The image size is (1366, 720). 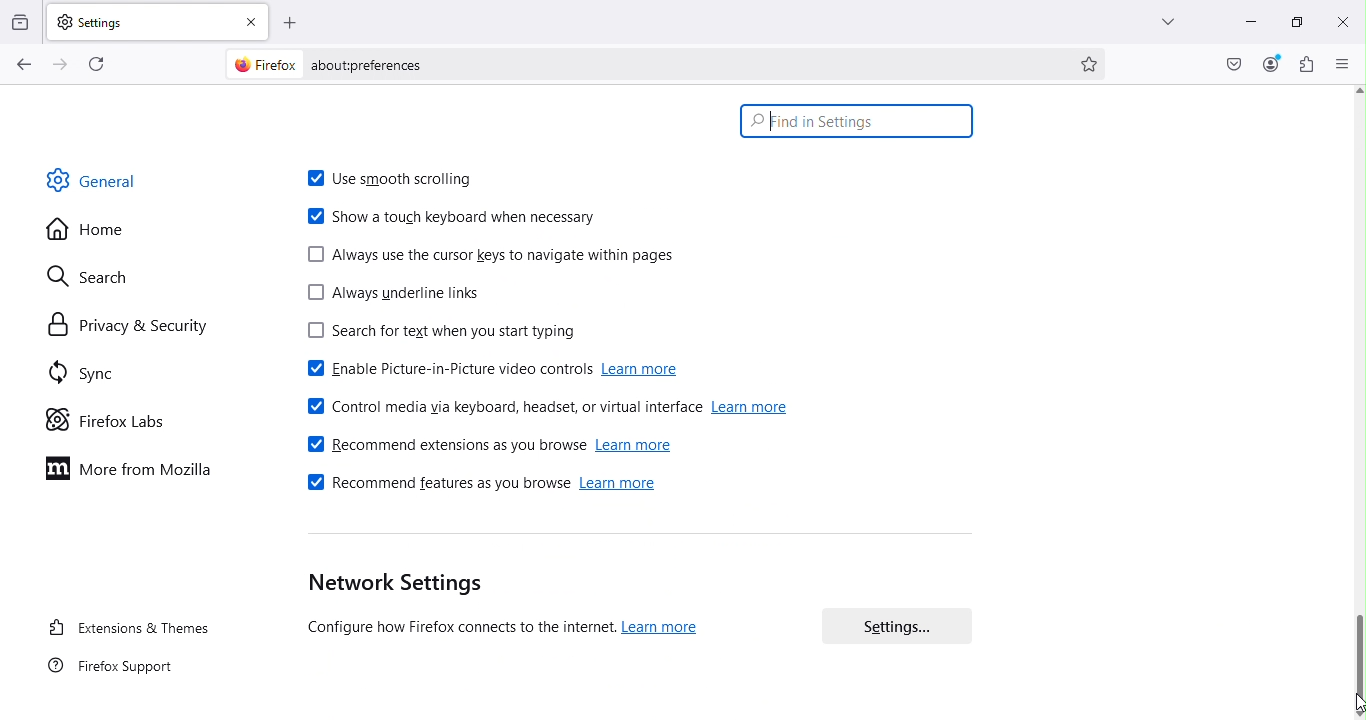 What do you see at coordinates (1228, 63) in the screenshot?
I see `Save to pocket` at bounding box center [1228, 63].